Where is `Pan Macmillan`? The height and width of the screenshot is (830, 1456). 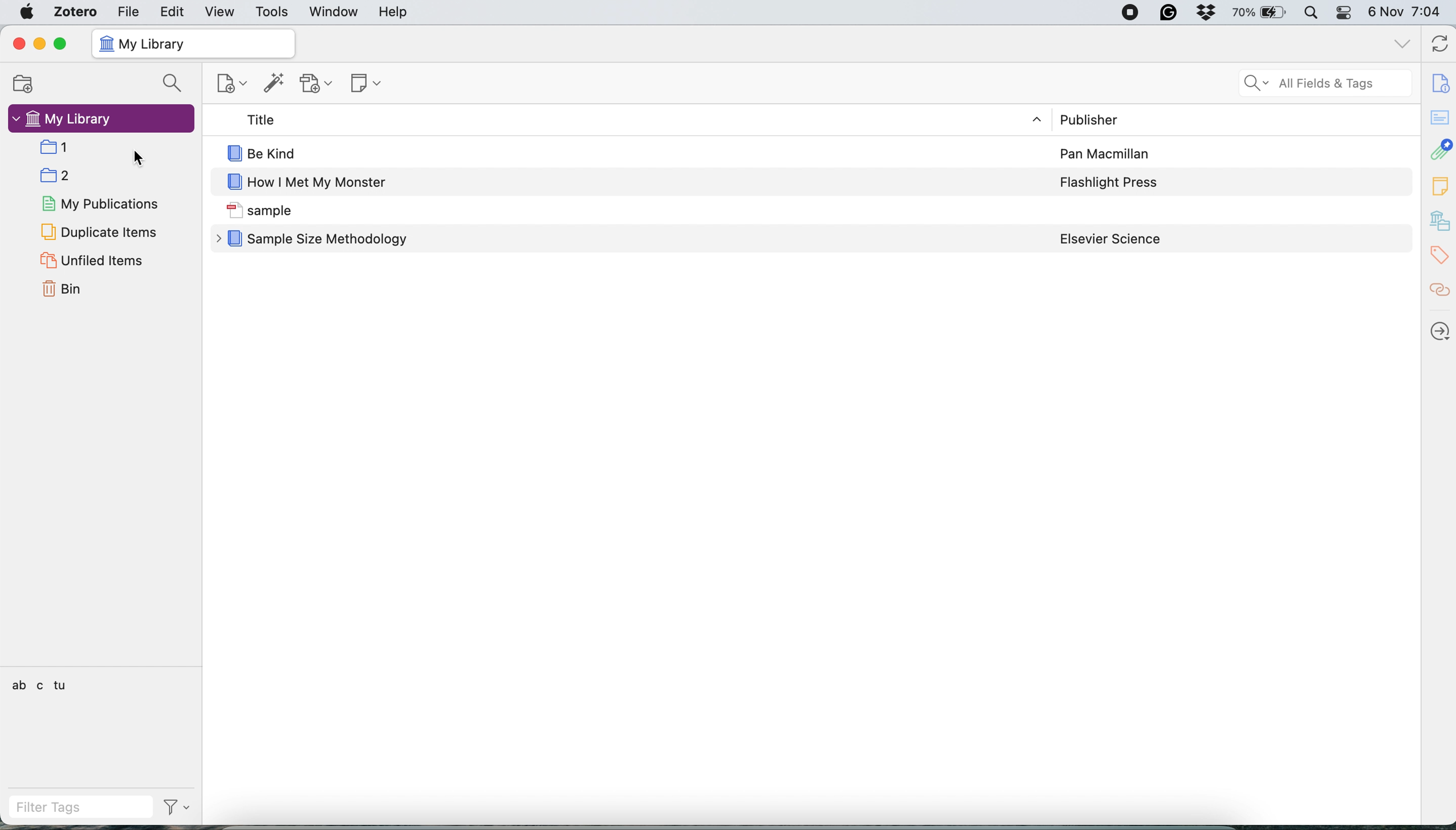
Pan Macmillan is located at coordinates (1106, 154).